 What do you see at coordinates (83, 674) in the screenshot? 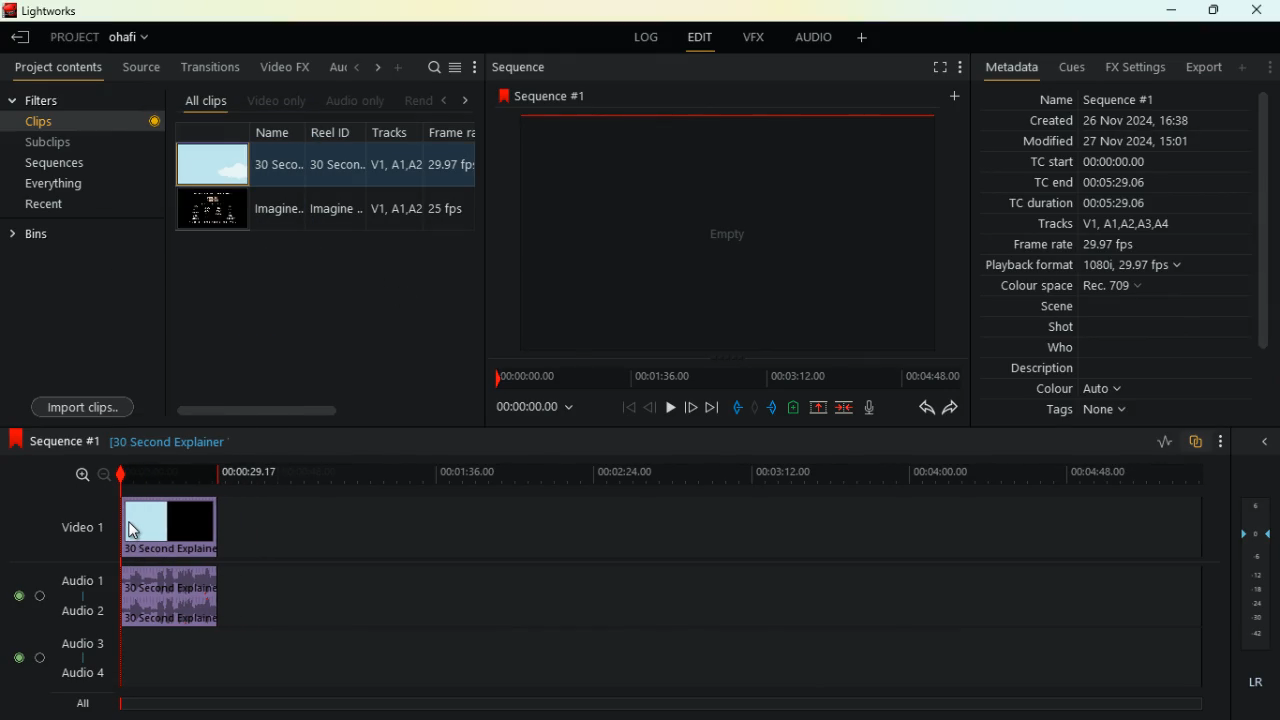
I see `audio 4` at bounding box center [83, 674].